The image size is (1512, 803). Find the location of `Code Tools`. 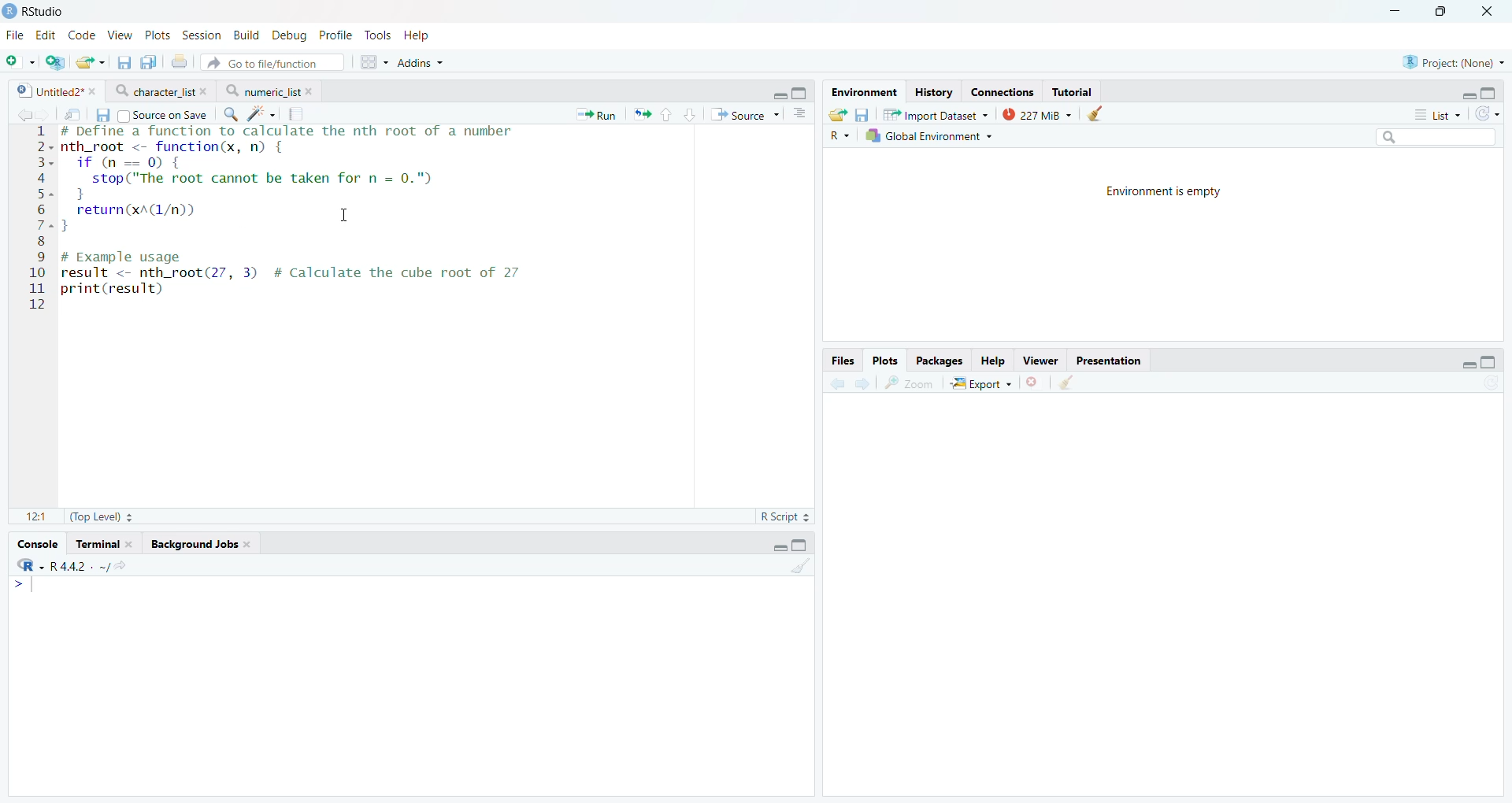

Code Tools is located at coordinates (262, 114).